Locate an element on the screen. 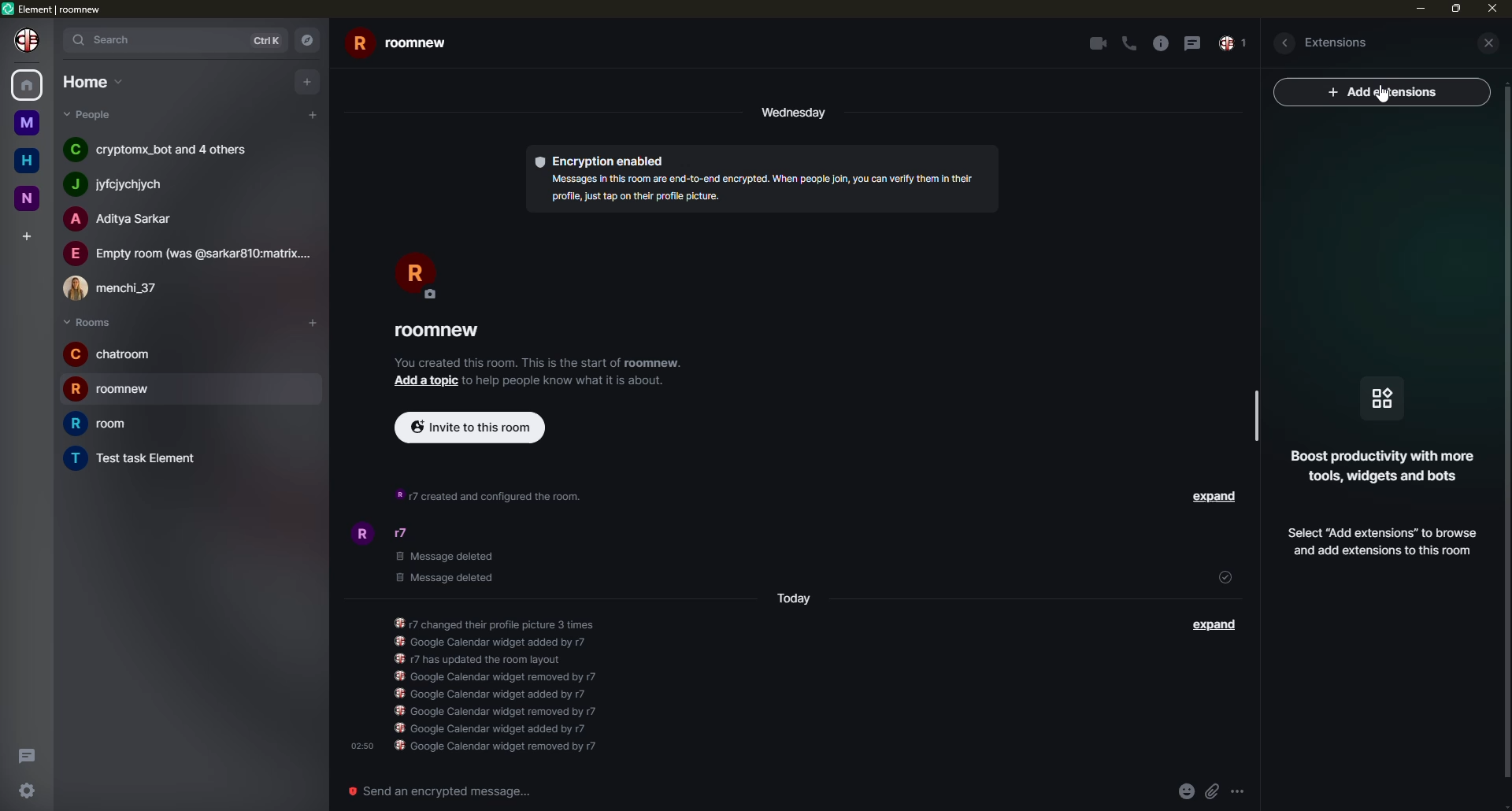 This screenshot has height=811, width=1512. close is located at coordinates (1493, 11).